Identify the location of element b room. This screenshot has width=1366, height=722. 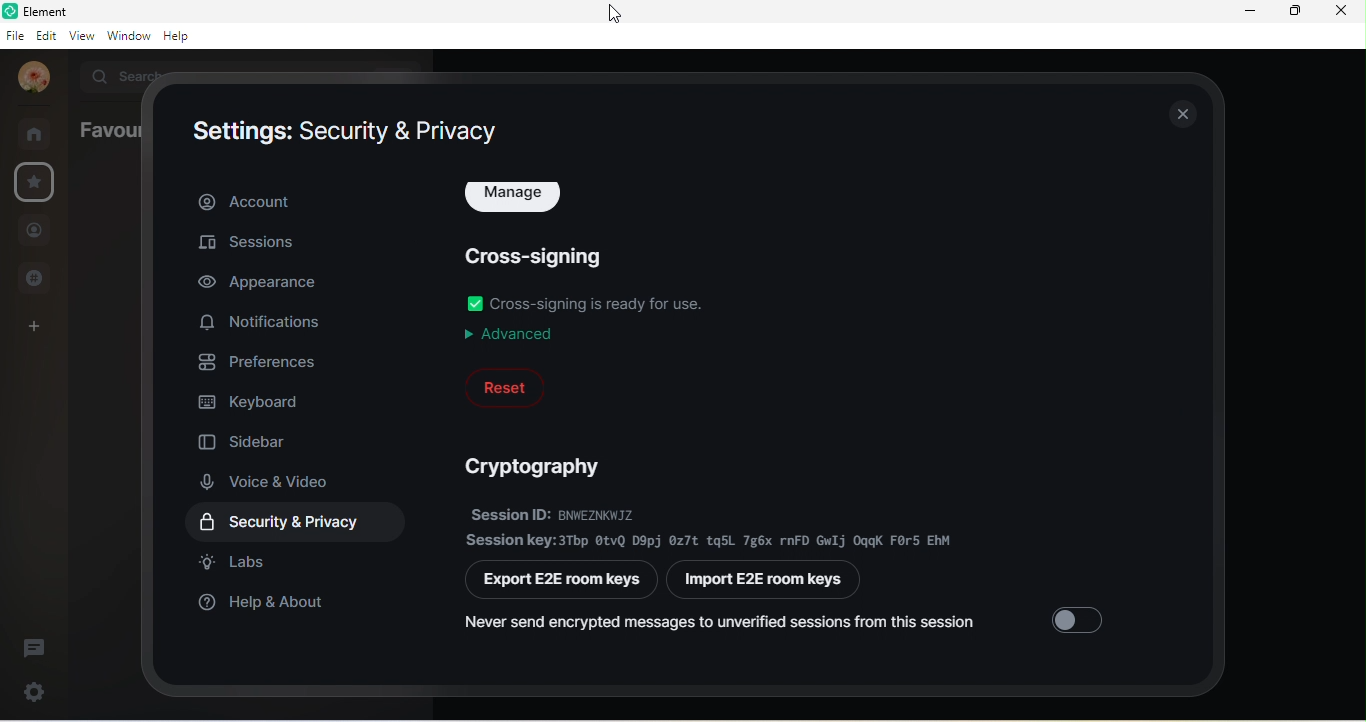
(71, 10).